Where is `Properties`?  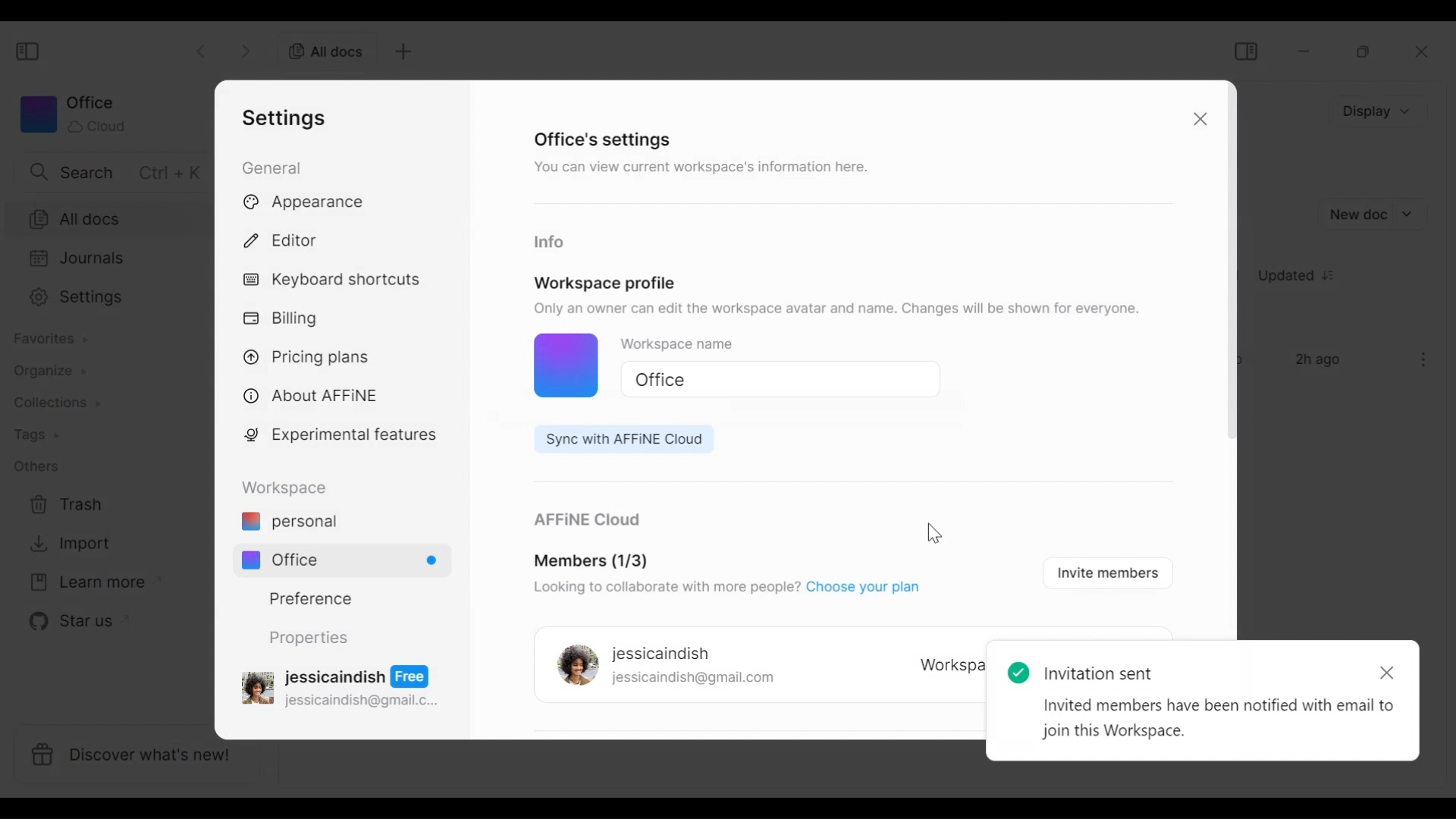 Properties is located at coordinates (307, 638).